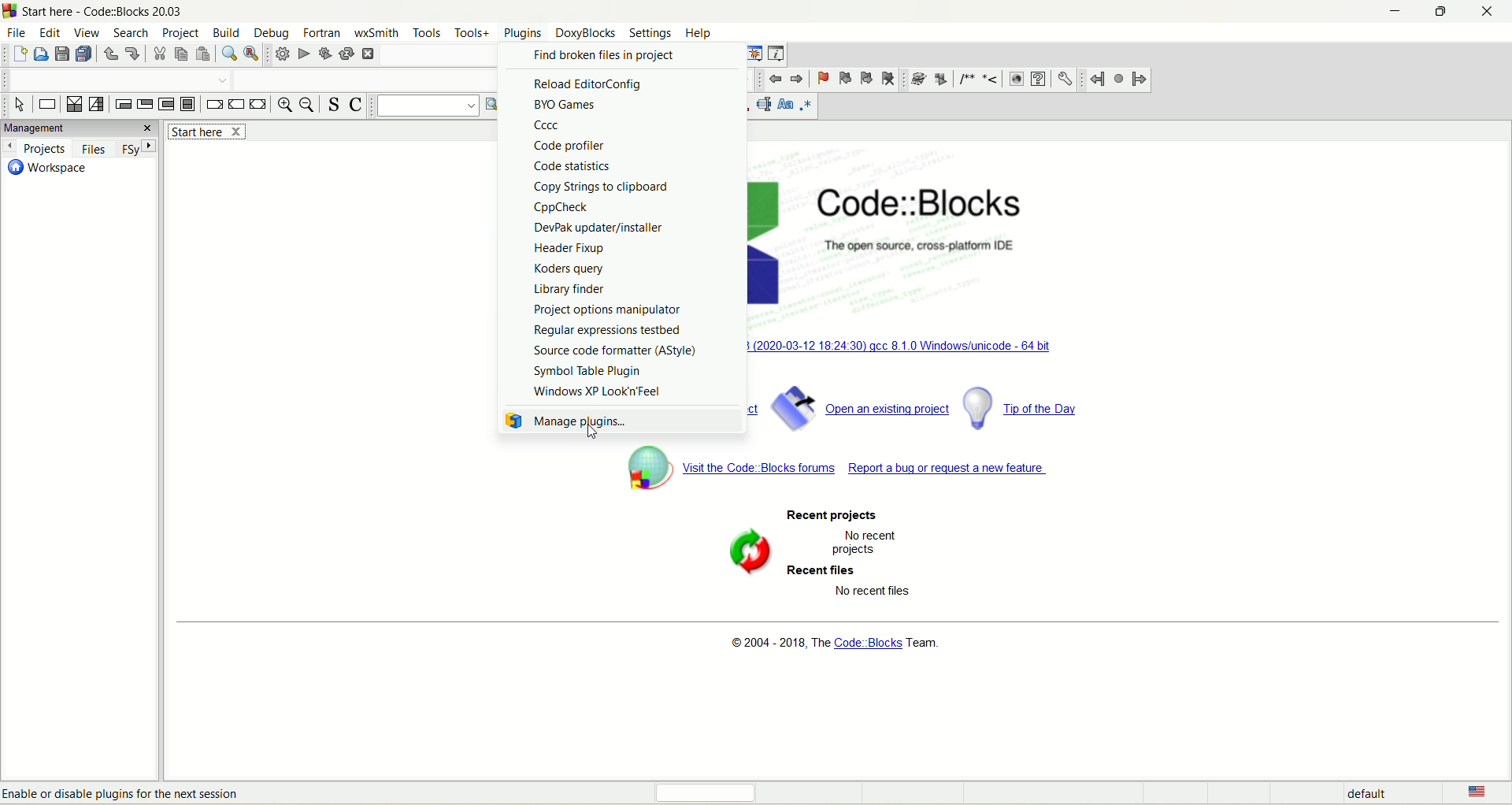 The height and width of the screenshot is (805, 1512). What do you see at coordinates (942, 224) in the screenshot?
I see `code::block` at bounding box center [942, 224].